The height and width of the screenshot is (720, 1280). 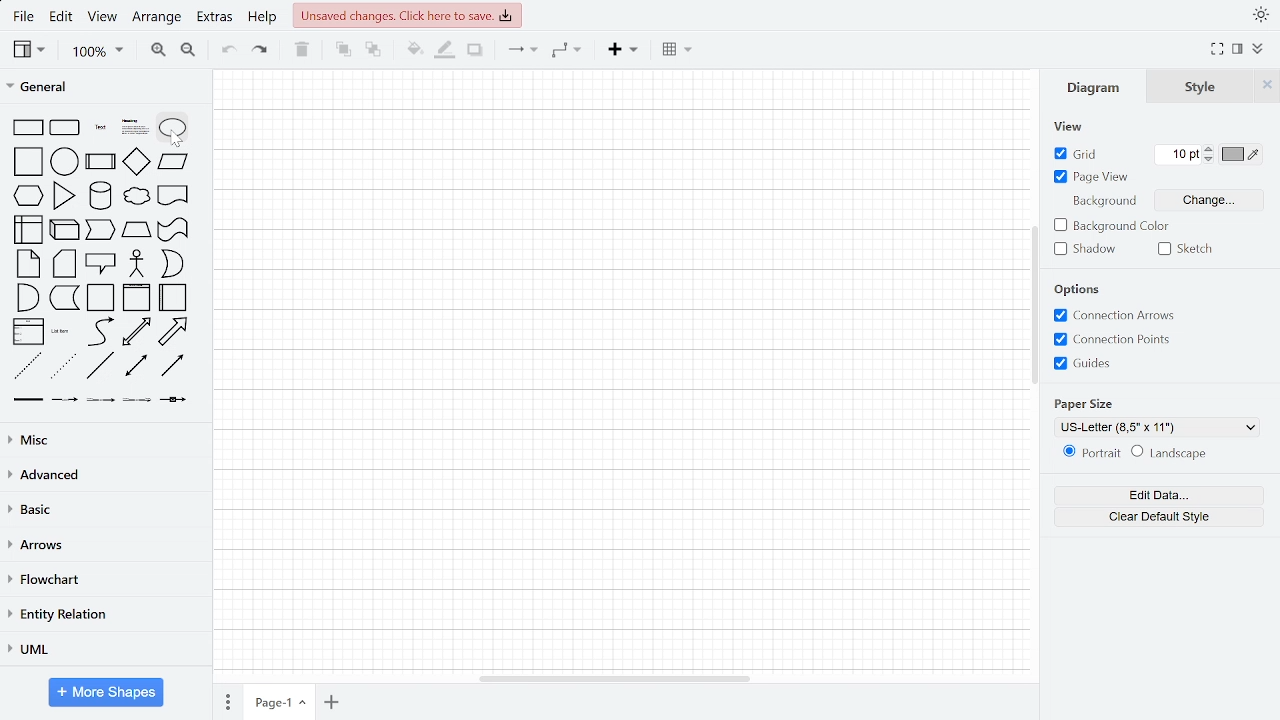 I want to click on Fill line, so click(x=445, y=52).